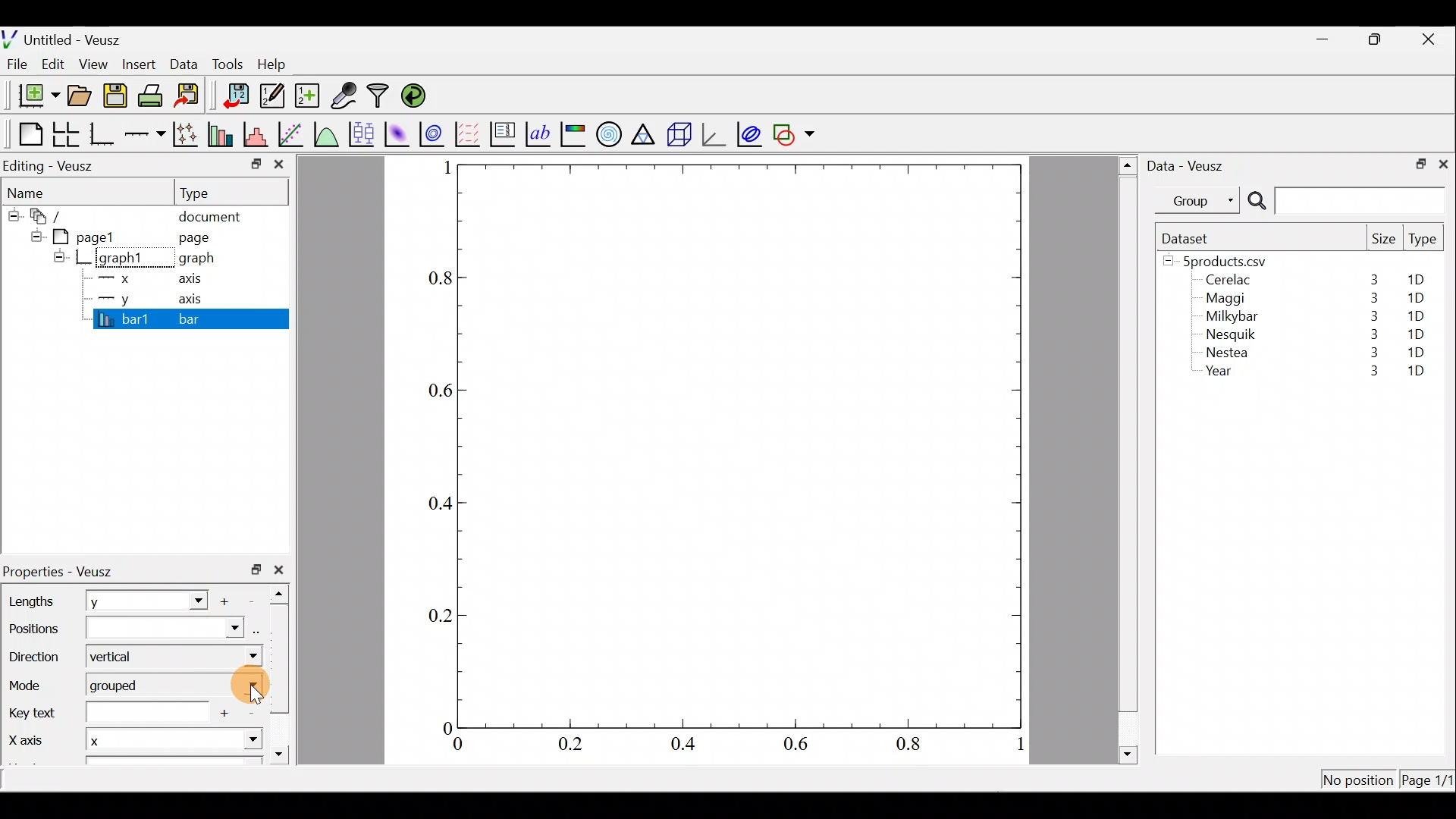  Describe the element at coordinates (126, 742) in the screenshot. I see `x` at that location.